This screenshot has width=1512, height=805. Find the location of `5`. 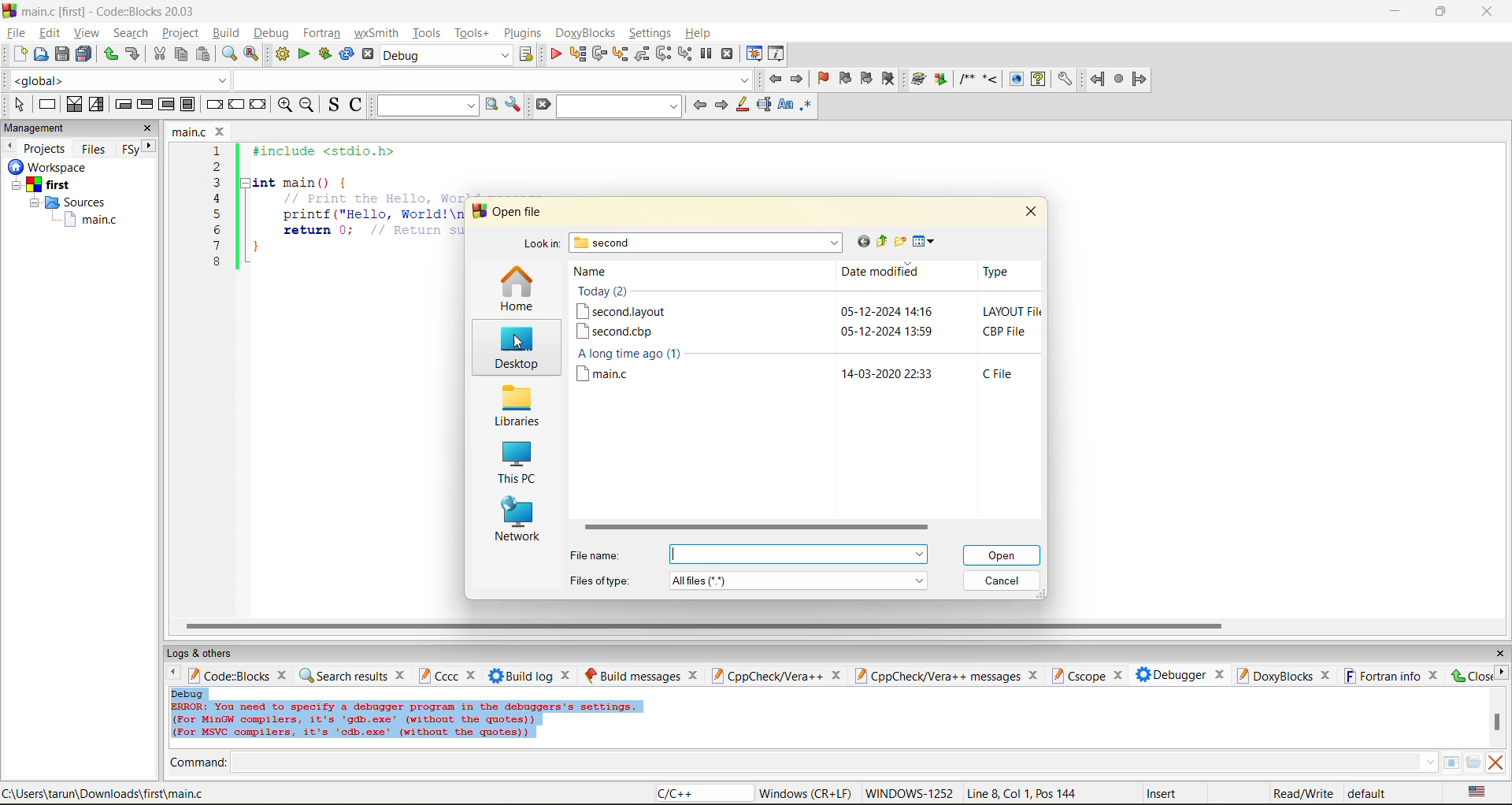

5 is located at coordinates (217, 213).